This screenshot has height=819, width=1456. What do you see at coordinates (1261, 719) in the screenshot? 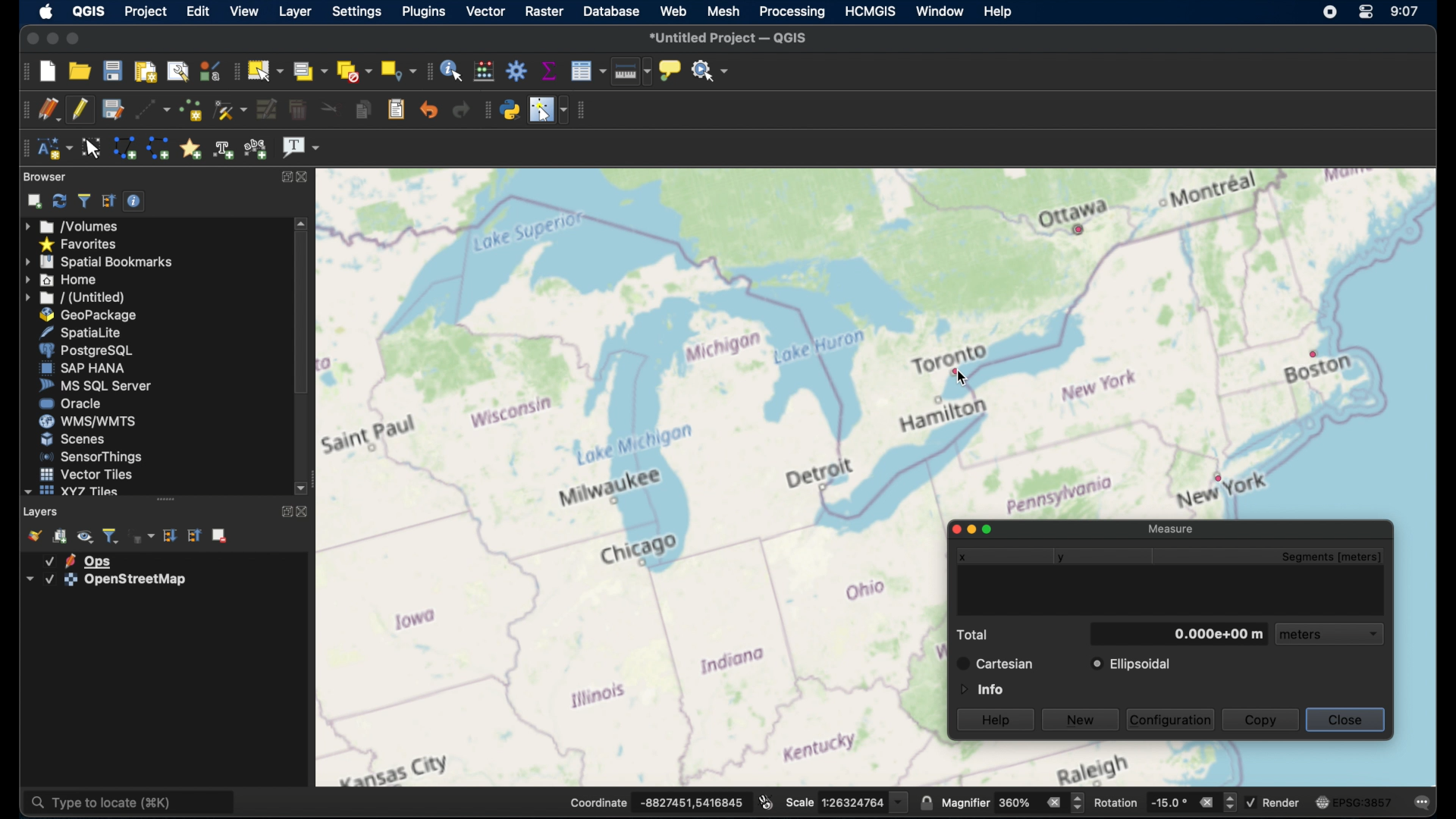
I see `copy` at bounding box center [1261, 719].